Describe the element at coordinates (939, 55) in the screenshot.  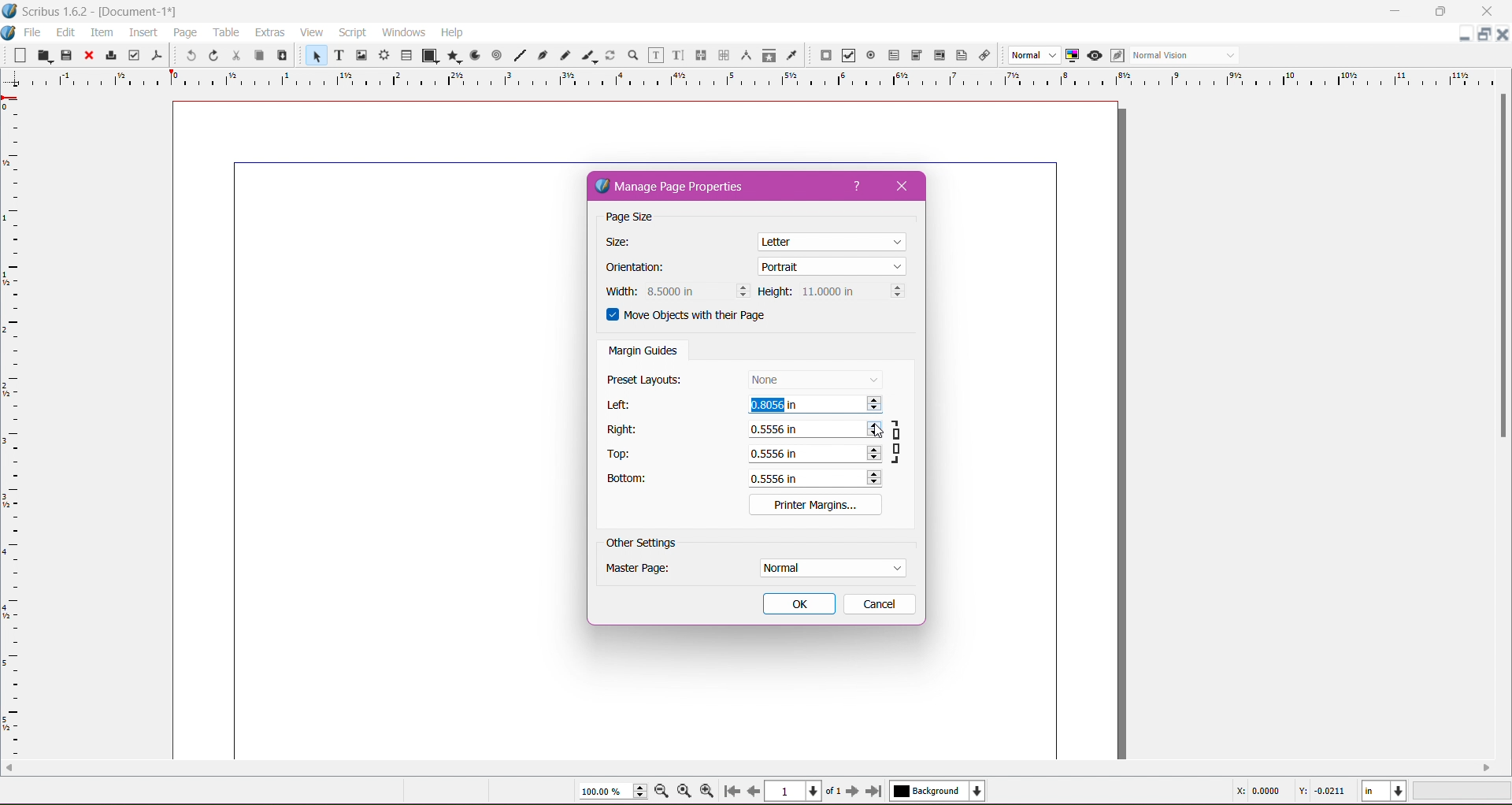
I see `PDF List Box` at that location.